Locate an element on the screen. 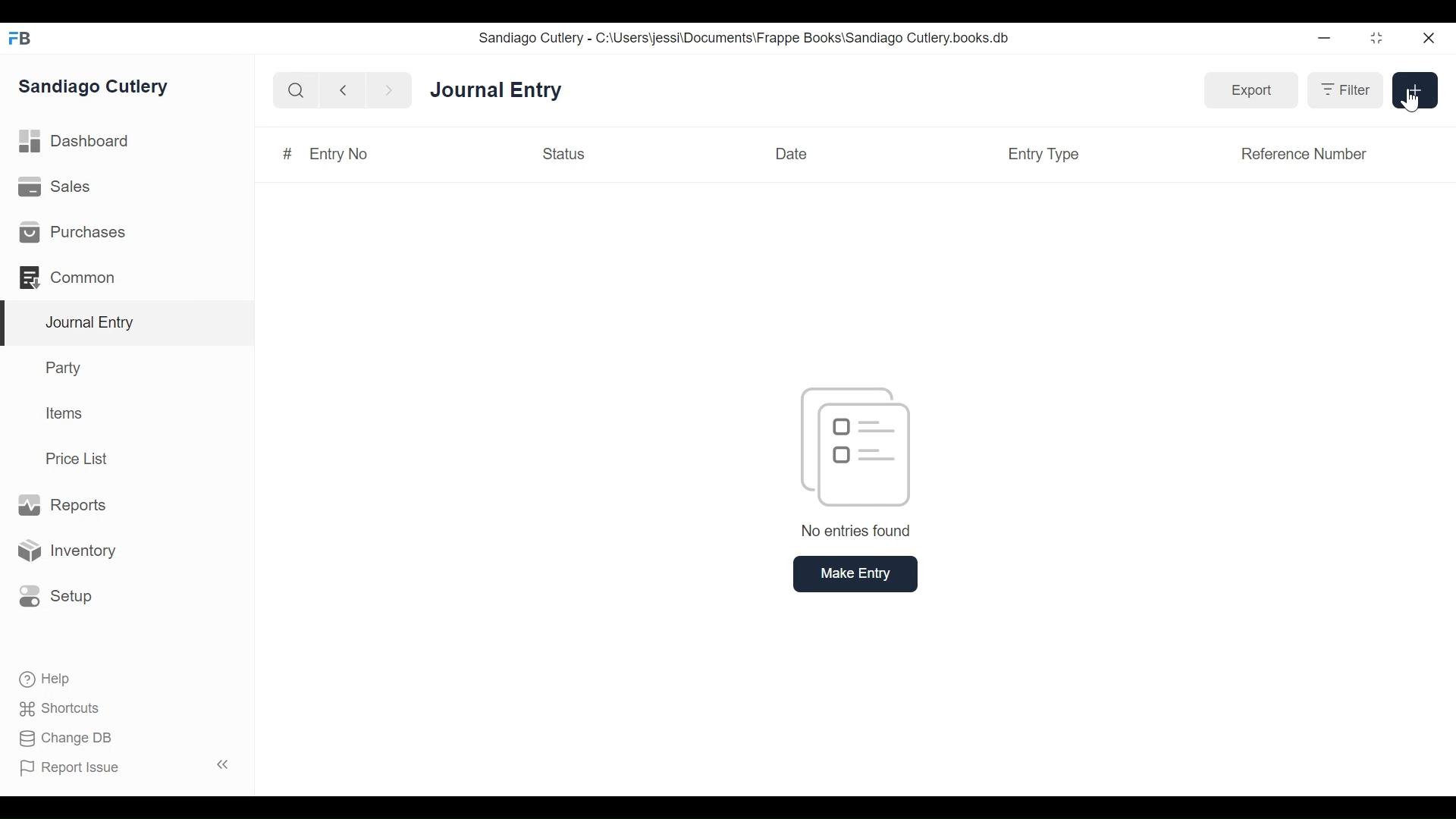 This screenshot has height=819, width=1456. Filter is located at coordinates (1342, 91).